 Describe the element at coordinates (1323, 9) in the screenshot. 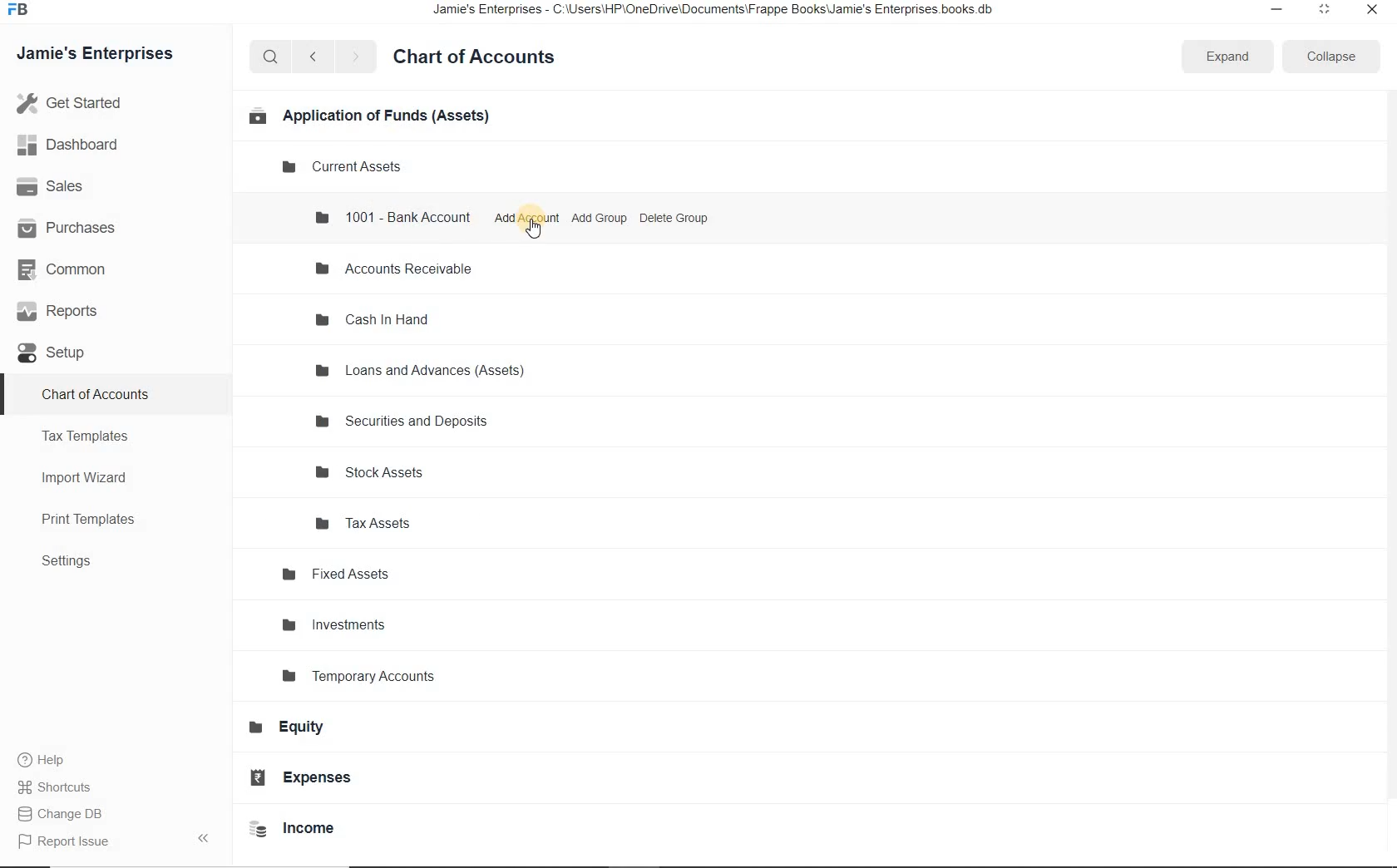

I see `maximize` at that location.